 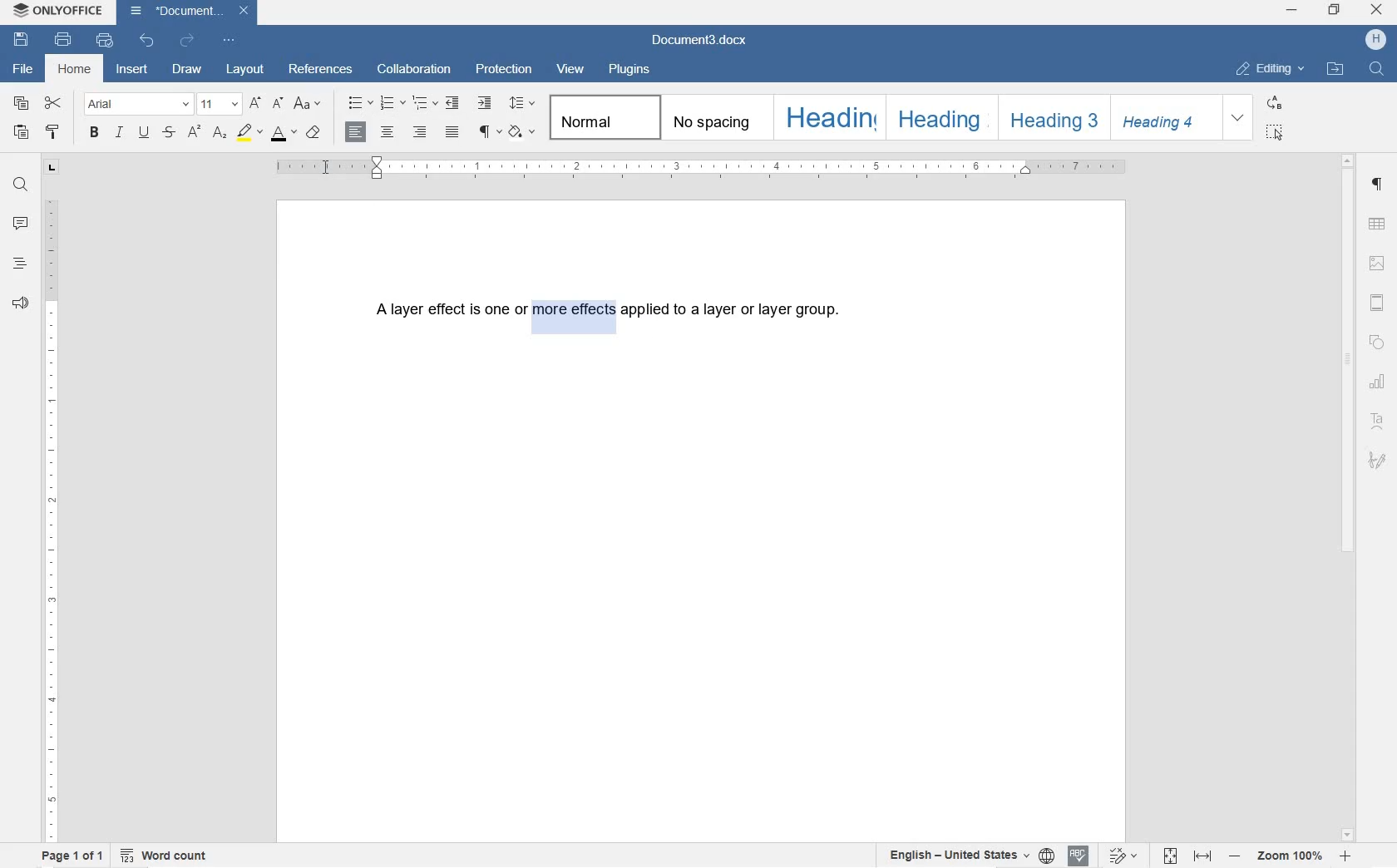 What do you see at coordinates (570, 70) in the screenshot?
I see `VIEW` at bounding box center [570, 70].